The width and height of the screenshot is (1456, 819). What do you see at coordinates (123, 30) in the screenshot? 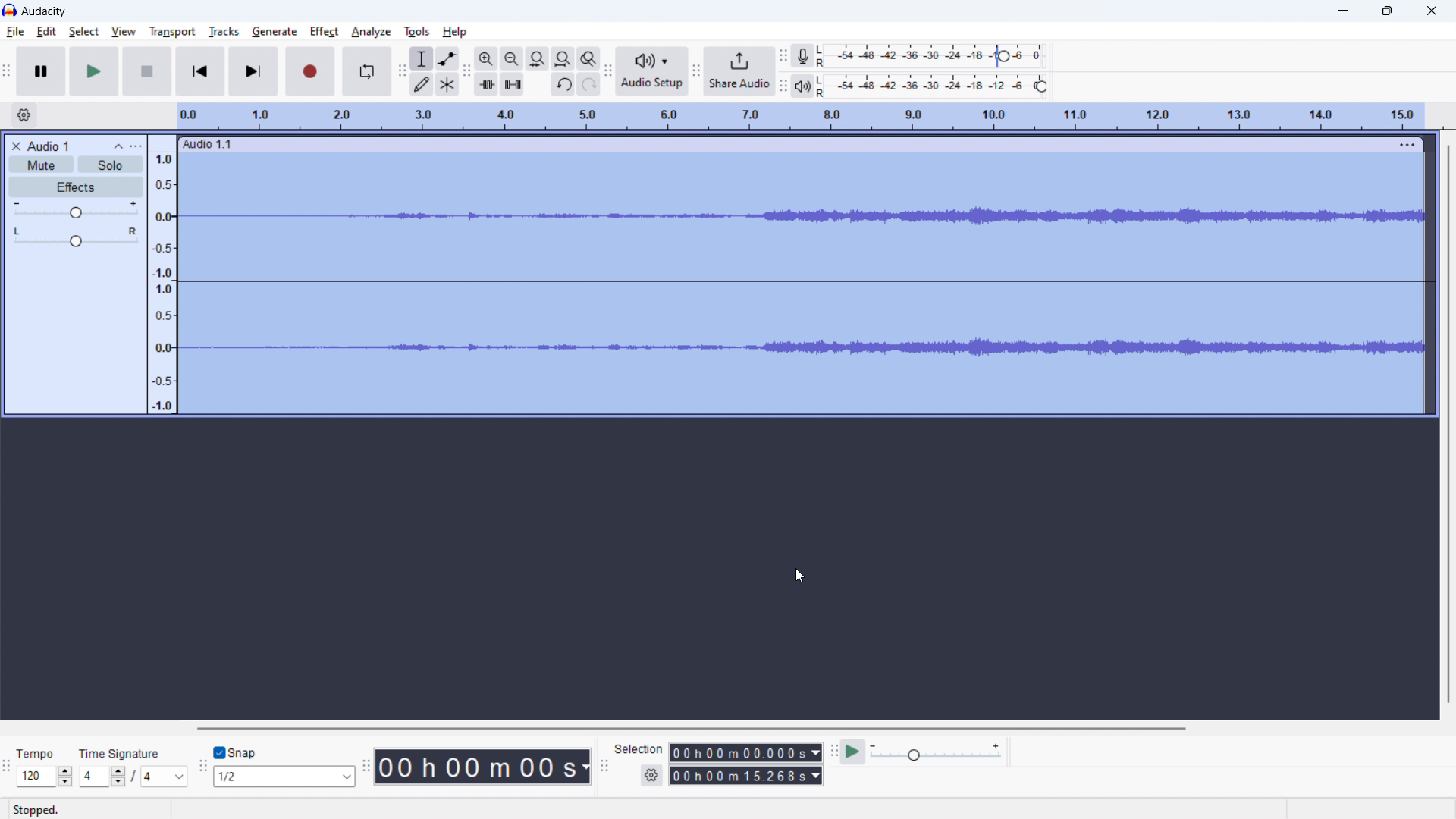
I see `view` at bounding box center [123, 30].